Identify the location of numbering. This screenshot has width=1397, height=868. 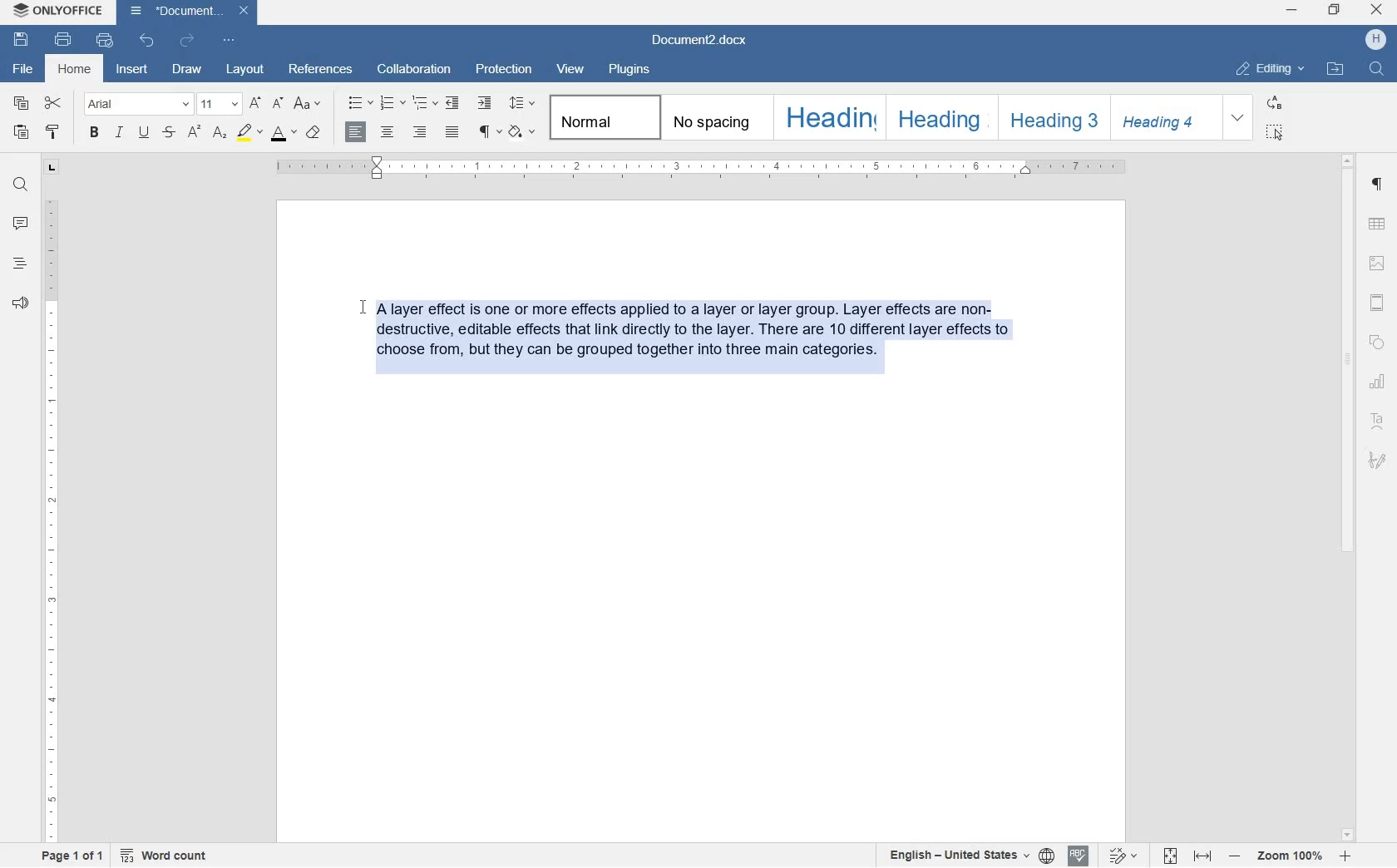
(390, 103).